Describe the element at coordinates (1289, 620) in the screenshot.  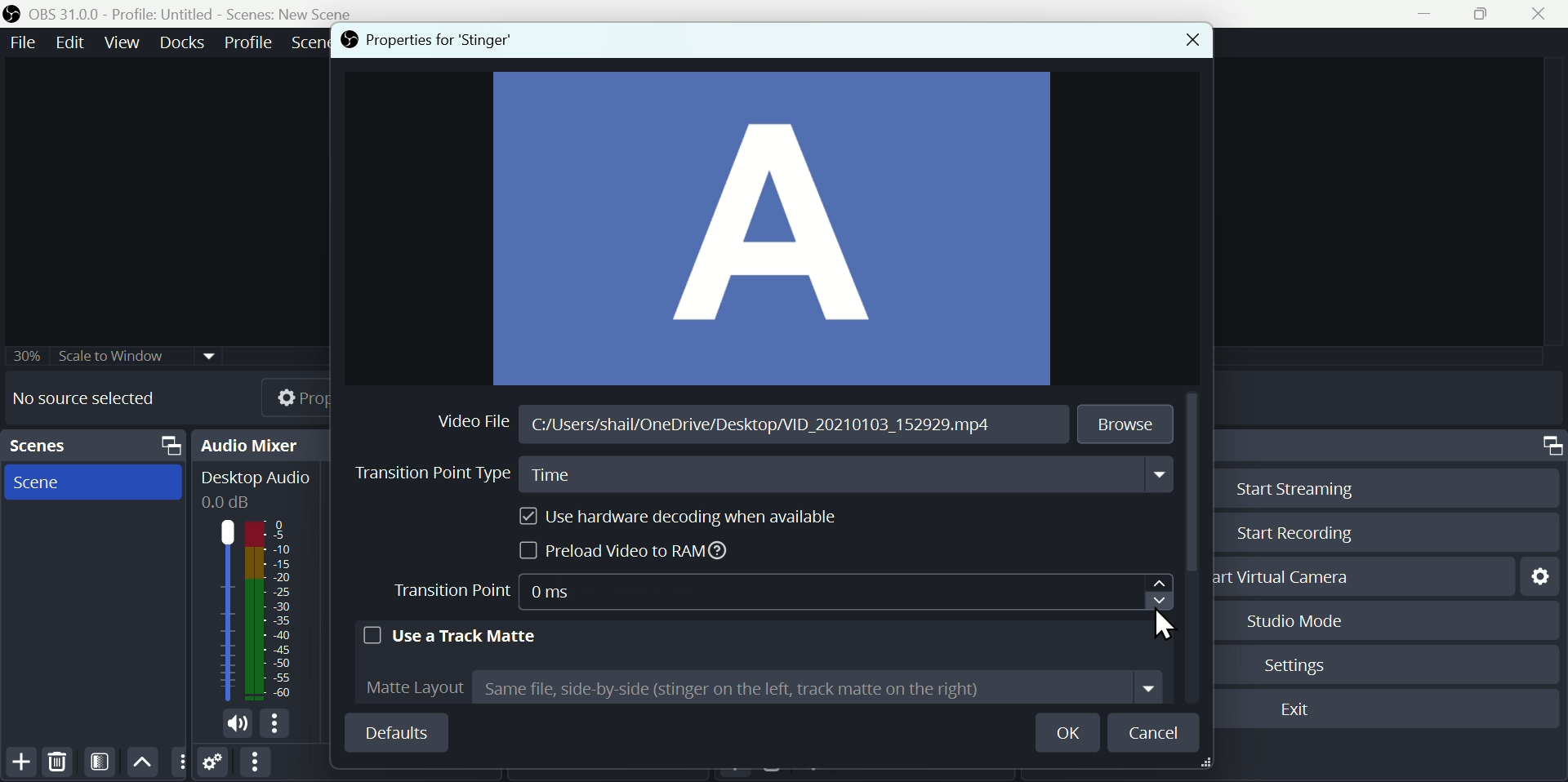
I see `Studio mode` at that location.